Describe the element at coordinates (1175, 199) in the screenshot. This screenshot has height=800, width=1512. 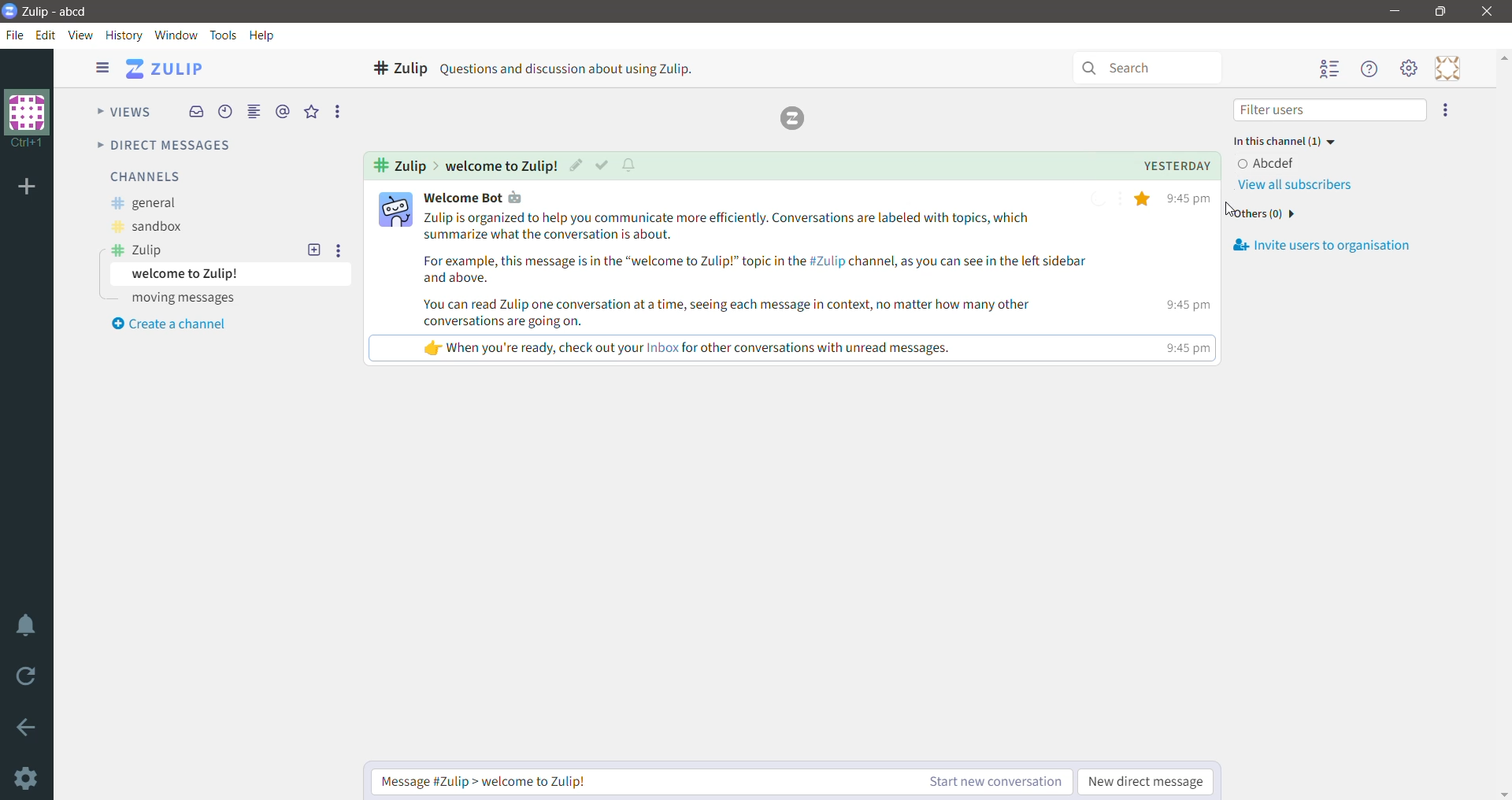
I see `% 9:45pm` at that location.